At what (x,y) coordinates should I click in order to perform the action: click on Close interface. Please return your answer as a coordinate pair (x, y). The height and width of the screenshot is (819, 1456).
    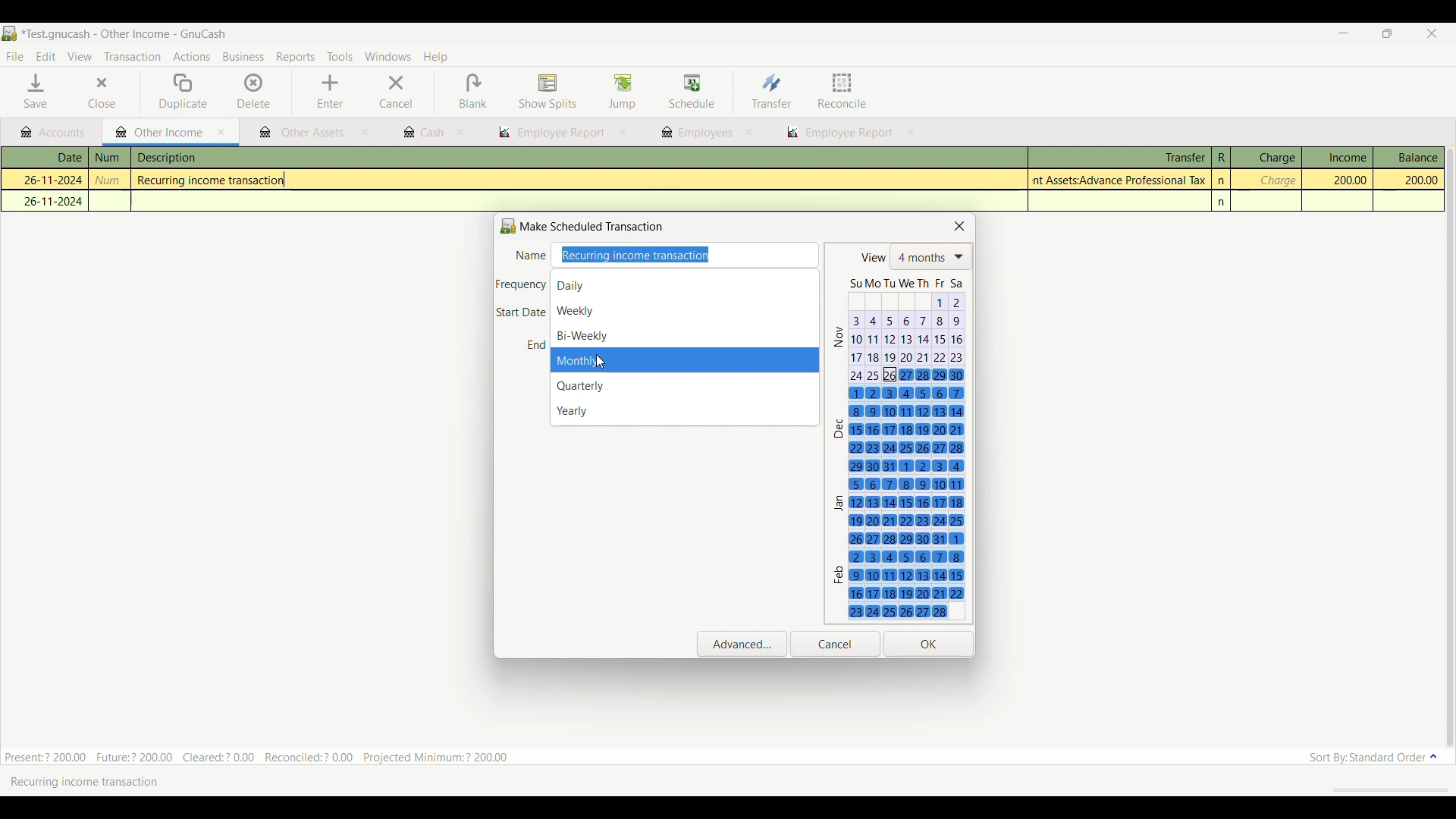
    Looking at the image, I should click on (1429, 35).